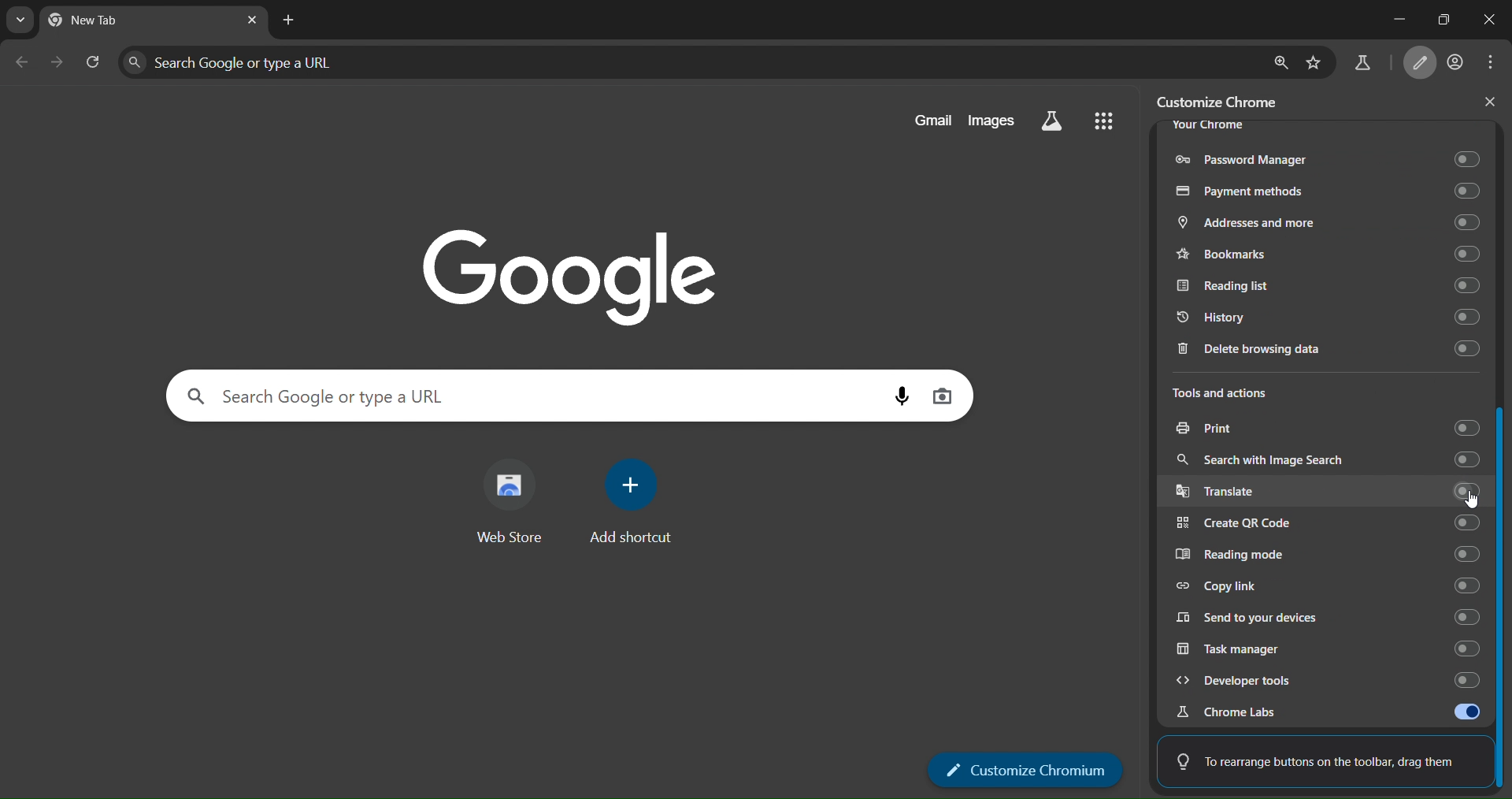 Image resolution: width=1512 pixels, height=799 pixels. I want to click on bookmark page, so click(1318, 59).